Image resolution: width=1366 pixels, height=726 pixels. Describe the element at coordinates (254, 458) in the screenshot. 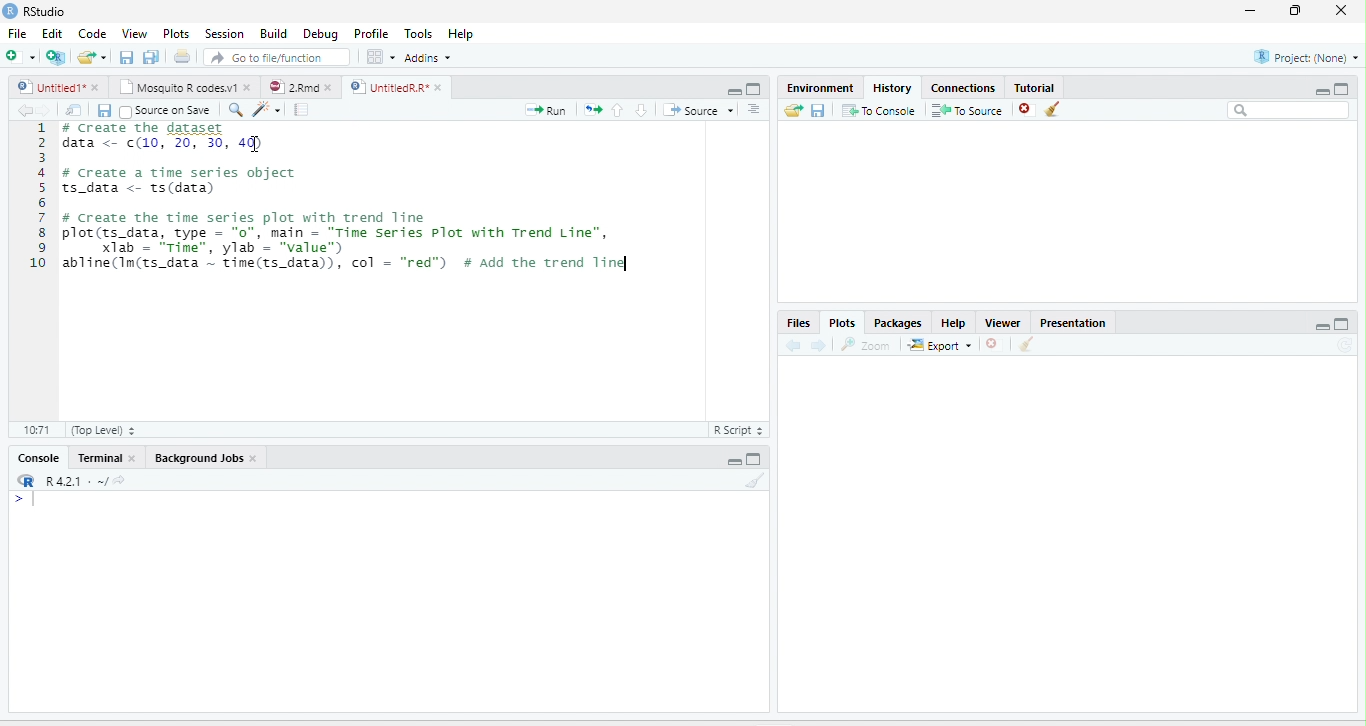

I see `close` at that location.